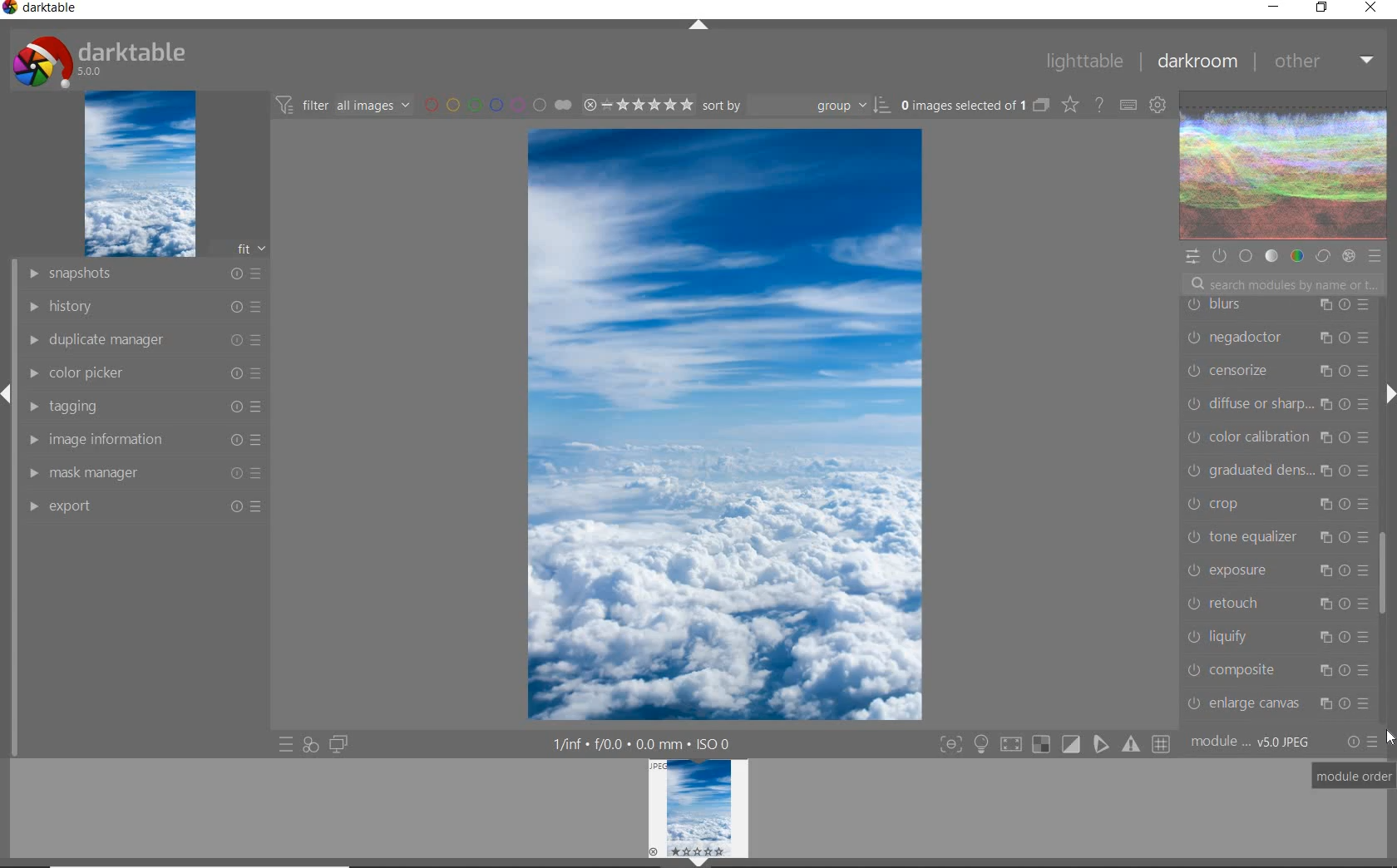 Image resolution: width=1397 pixels, height=868 pixels. Describe the element at coordinates (96, 58) in the screenshot. I see `darktable 5.0.0` at that location.